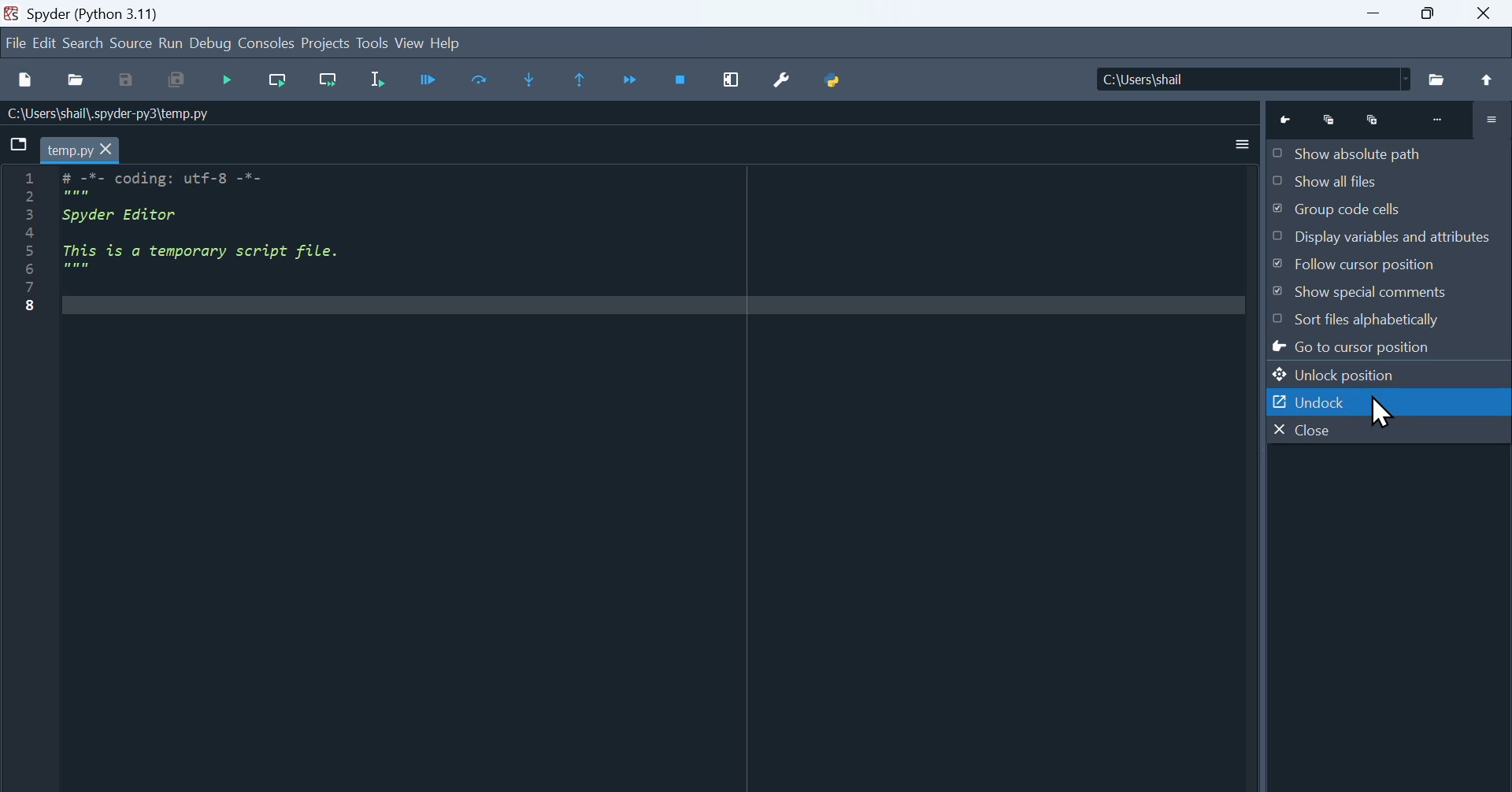 The height and width of the screenshot is (792, 1512). What do you see at coordinates (1373, 120) in the screenshot?
I see `Maximize` at bounding box center [1373, 120].